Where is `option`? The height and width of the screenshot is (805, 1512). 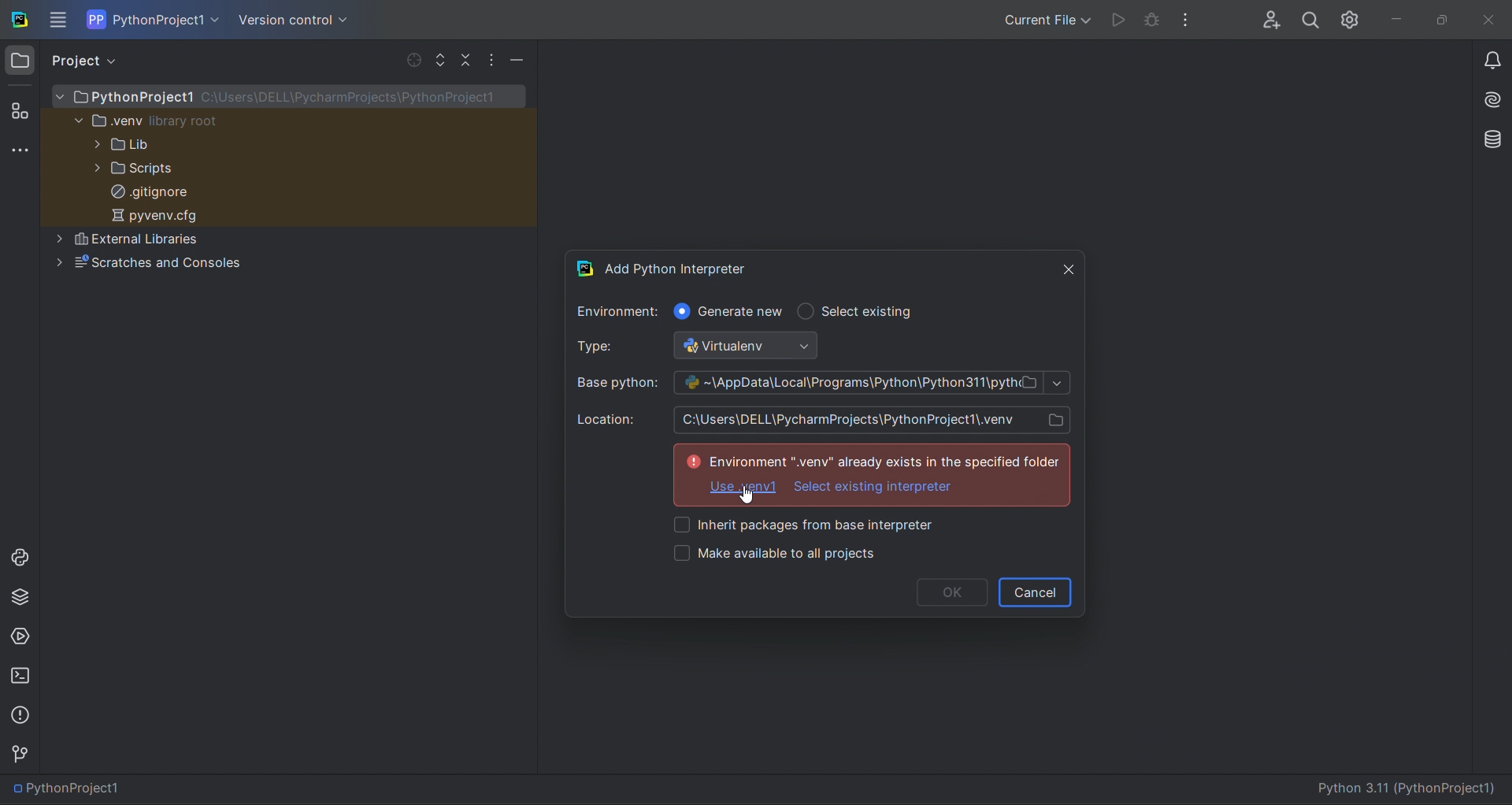
option is located at coordinates (745, 485).